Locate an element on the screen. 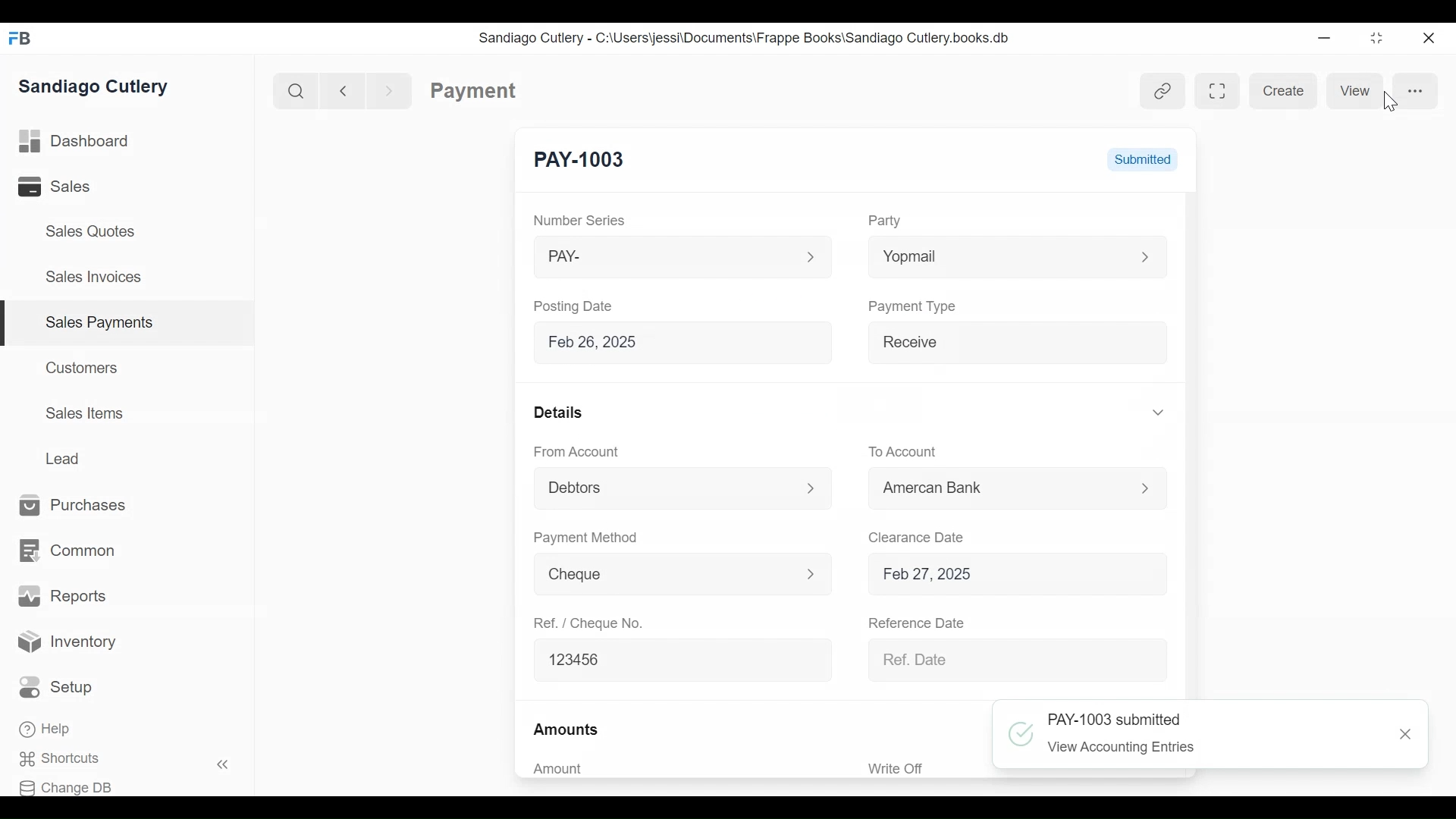 This screenshot has width=1456, height=819. Ref. / Cheque No. is located at coordinates (587, 623).